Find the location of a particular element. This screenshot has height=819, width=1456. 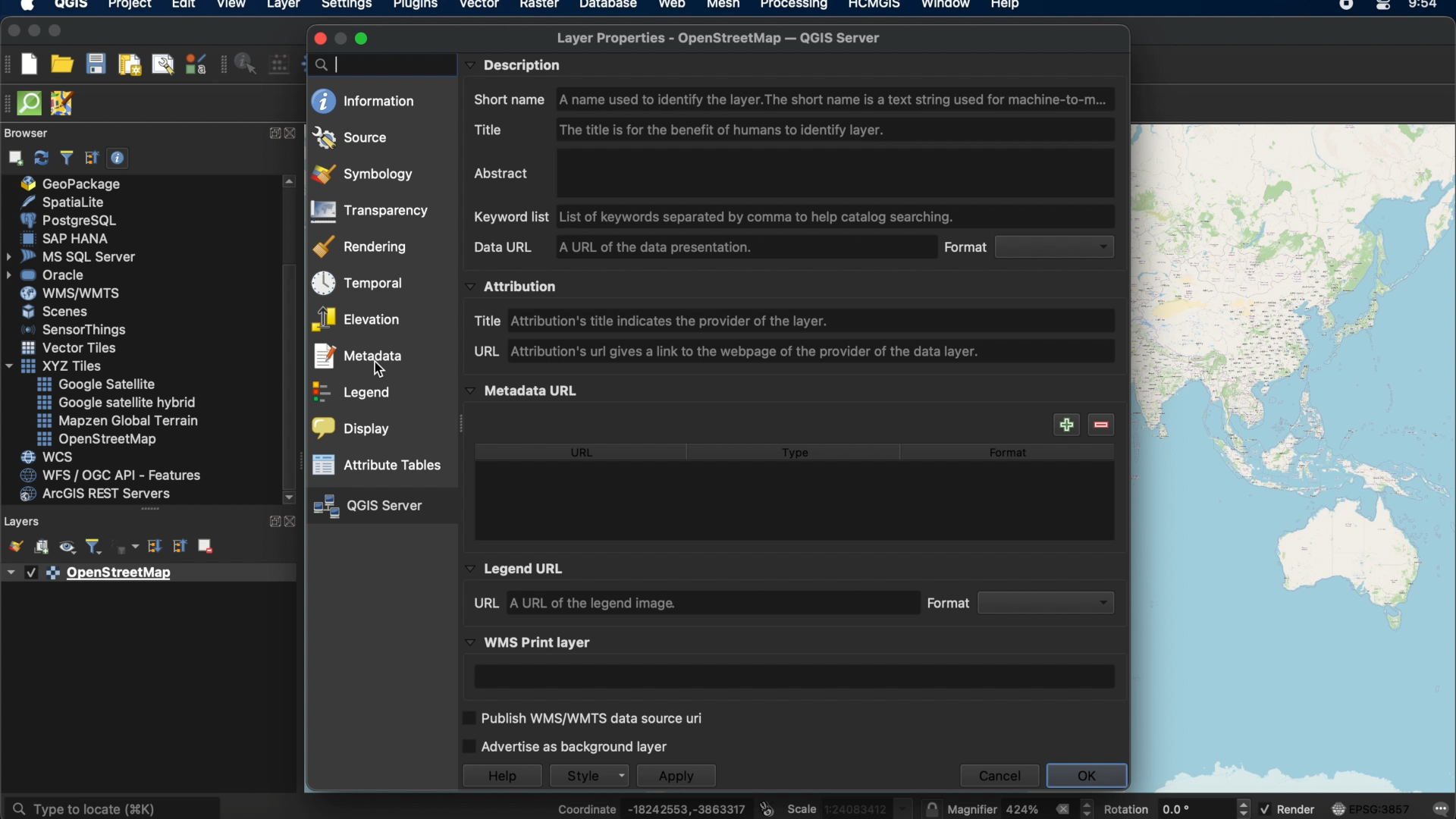

publish is located at coordinates (583, 715).